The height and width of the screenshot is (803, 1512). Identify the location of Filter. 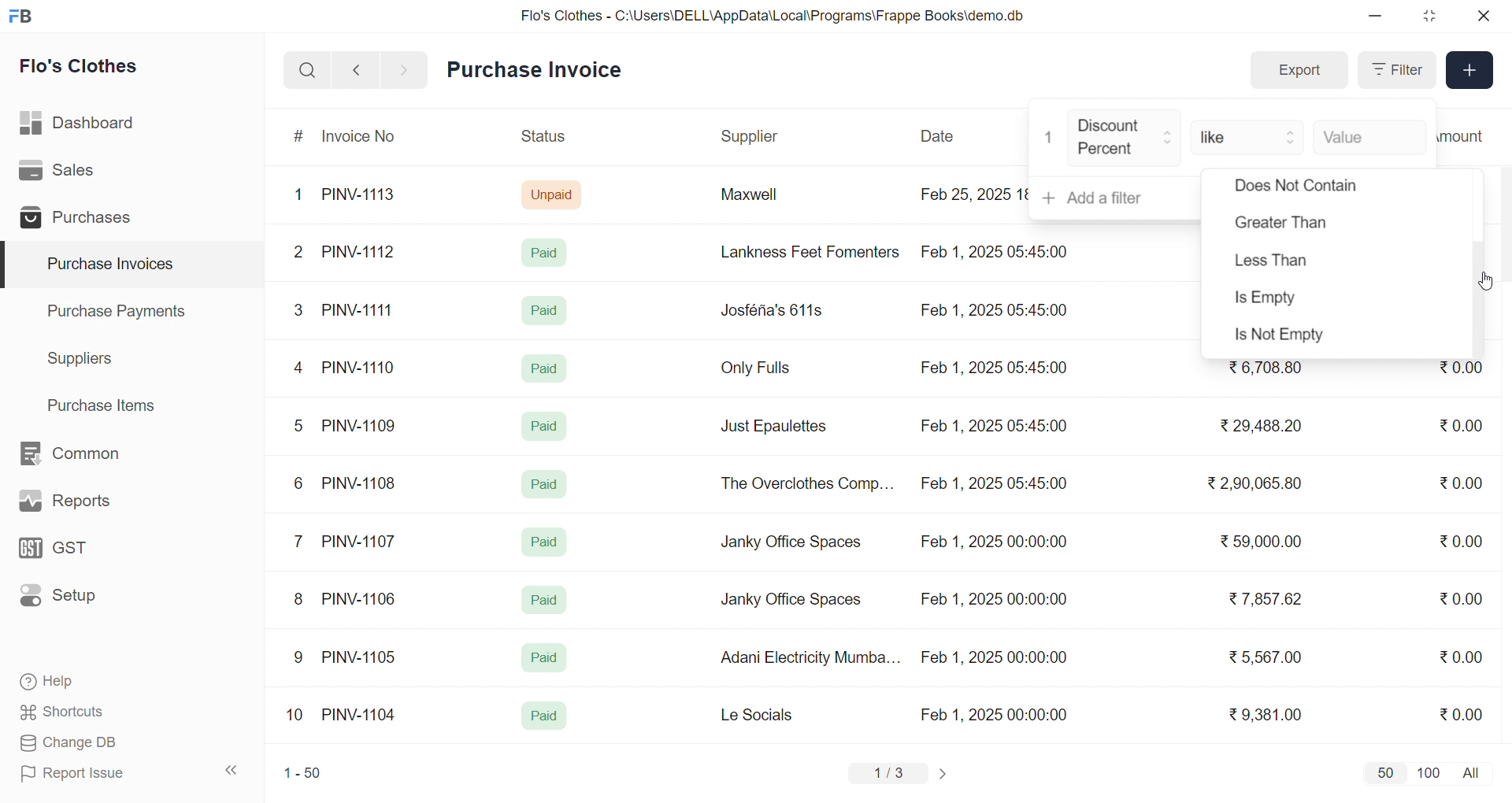
(1395, 70).